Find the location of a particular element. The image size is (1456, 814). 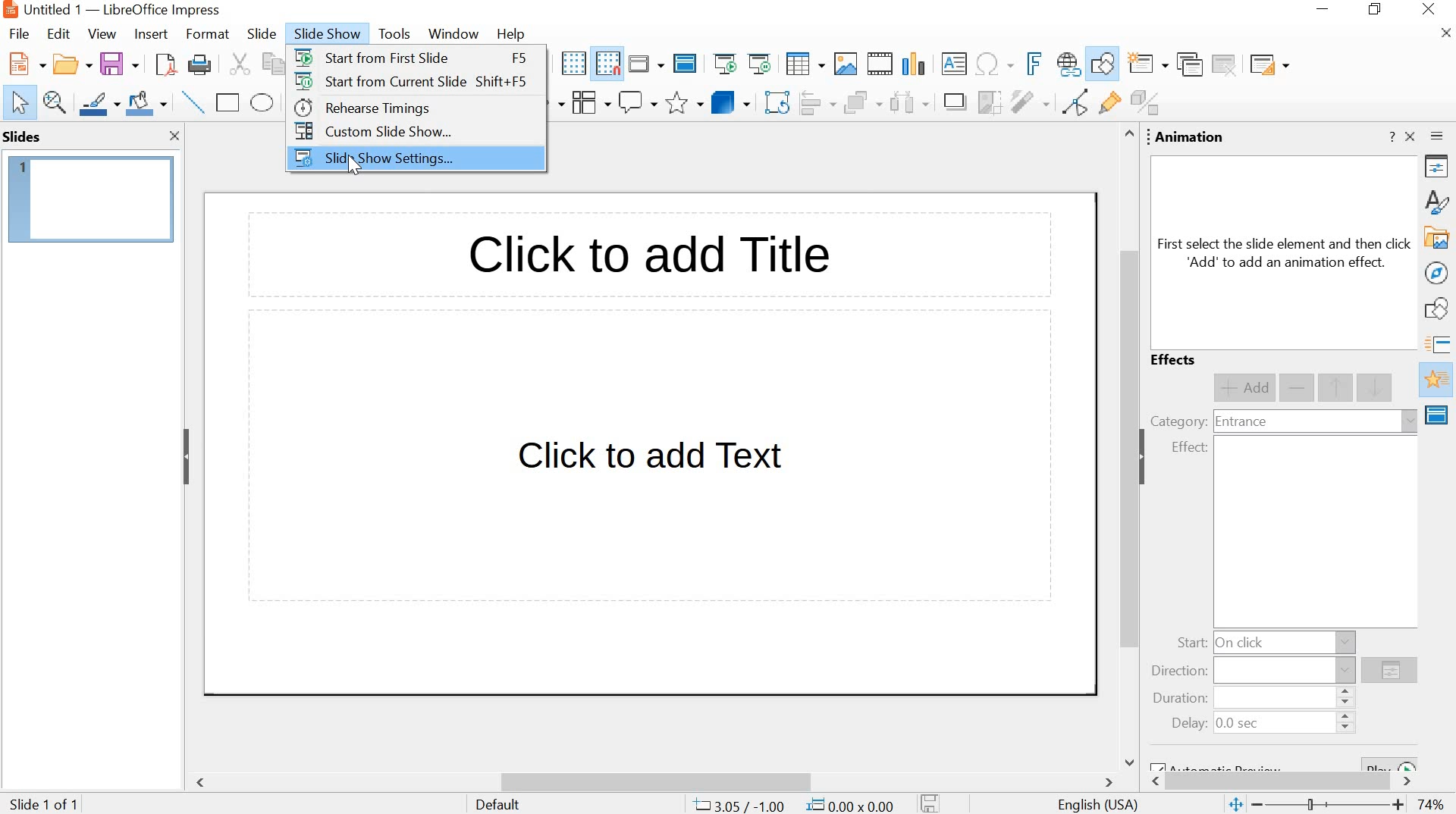

close sidebar deck is located at coordinates (1411, 136).